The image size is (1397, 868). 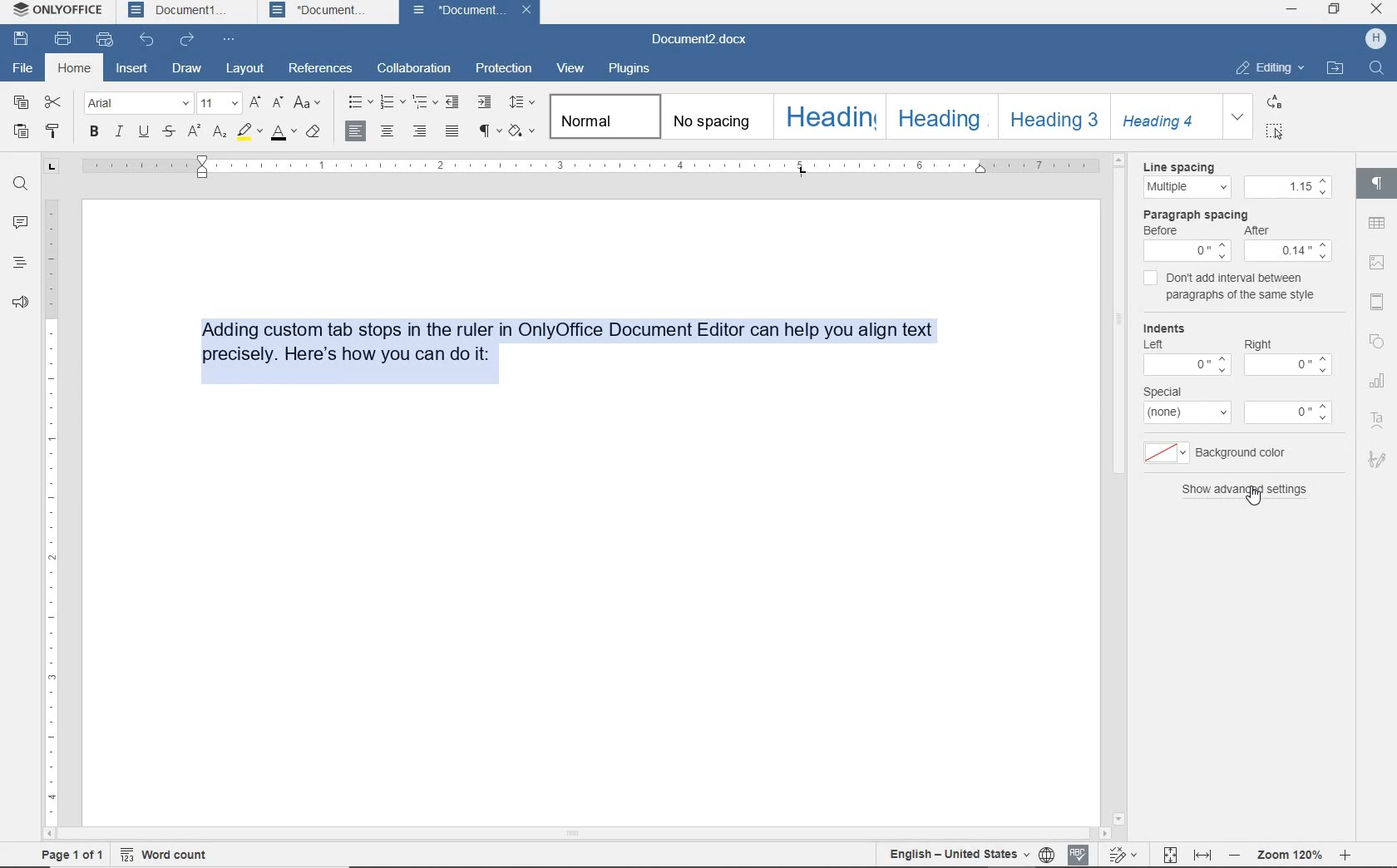 What do you see at coordinates (1197, 214) in the screenshot?
I see `paragraph spacing` at bounding box center [1197, 214].